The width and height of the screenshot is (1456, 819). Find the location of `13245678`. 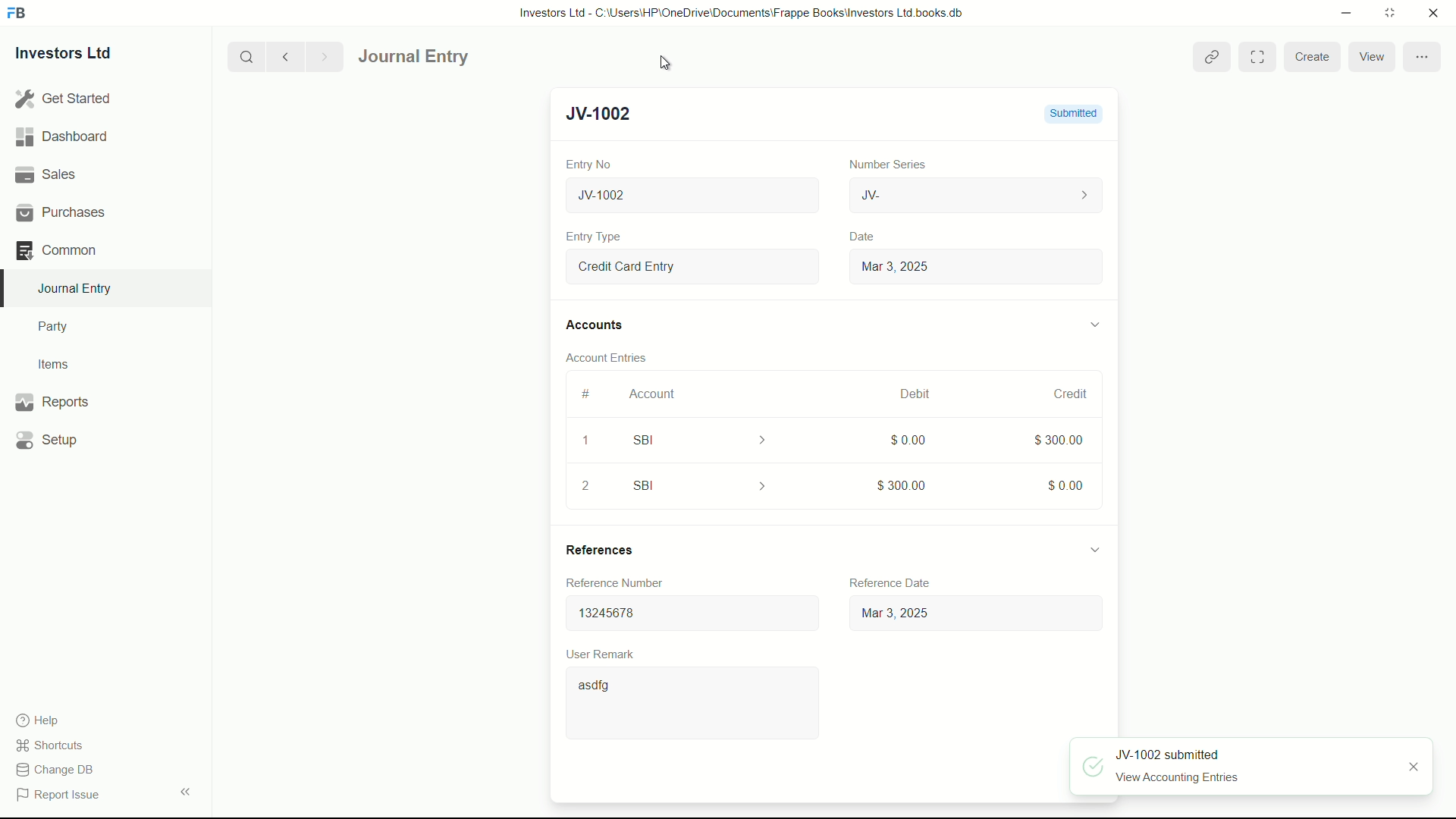

13245678 is located at coordinates (686, 612).